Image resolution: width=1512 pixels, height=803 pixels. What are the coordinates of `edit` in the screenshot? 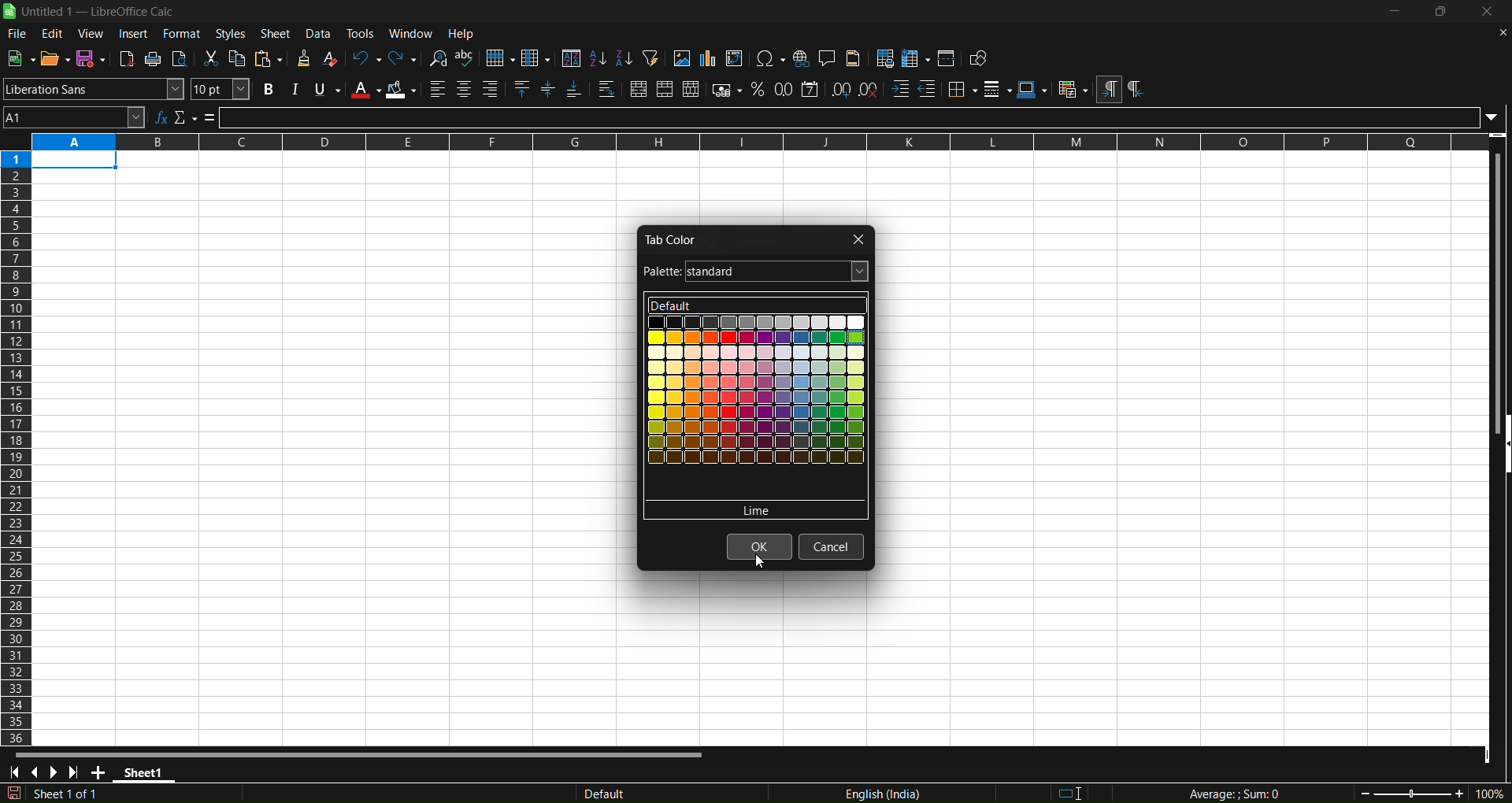 It's located at (53, 34).